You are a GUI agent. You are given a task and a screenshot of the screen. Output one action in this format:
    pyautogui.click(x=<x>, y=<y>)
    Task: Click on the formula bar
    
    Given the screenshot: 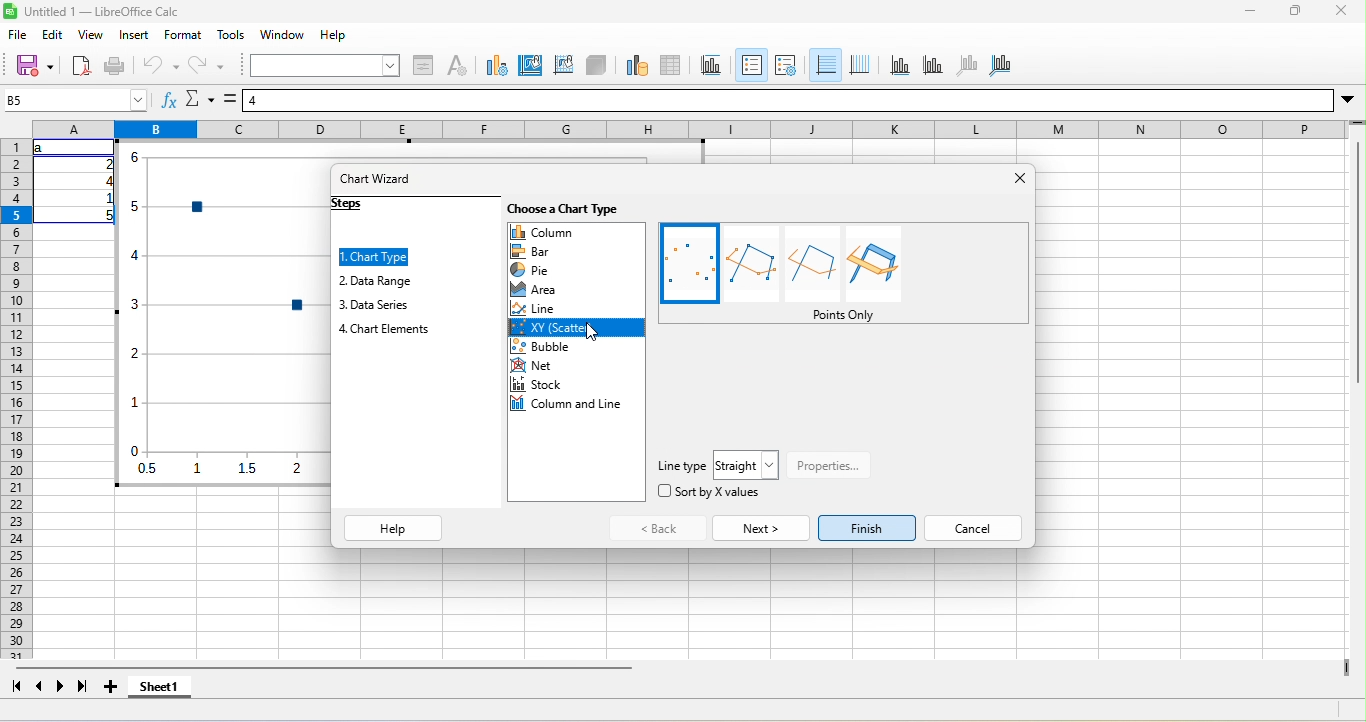 What is the action you would take?
    pyautogui.click(x=788, y=100)
    